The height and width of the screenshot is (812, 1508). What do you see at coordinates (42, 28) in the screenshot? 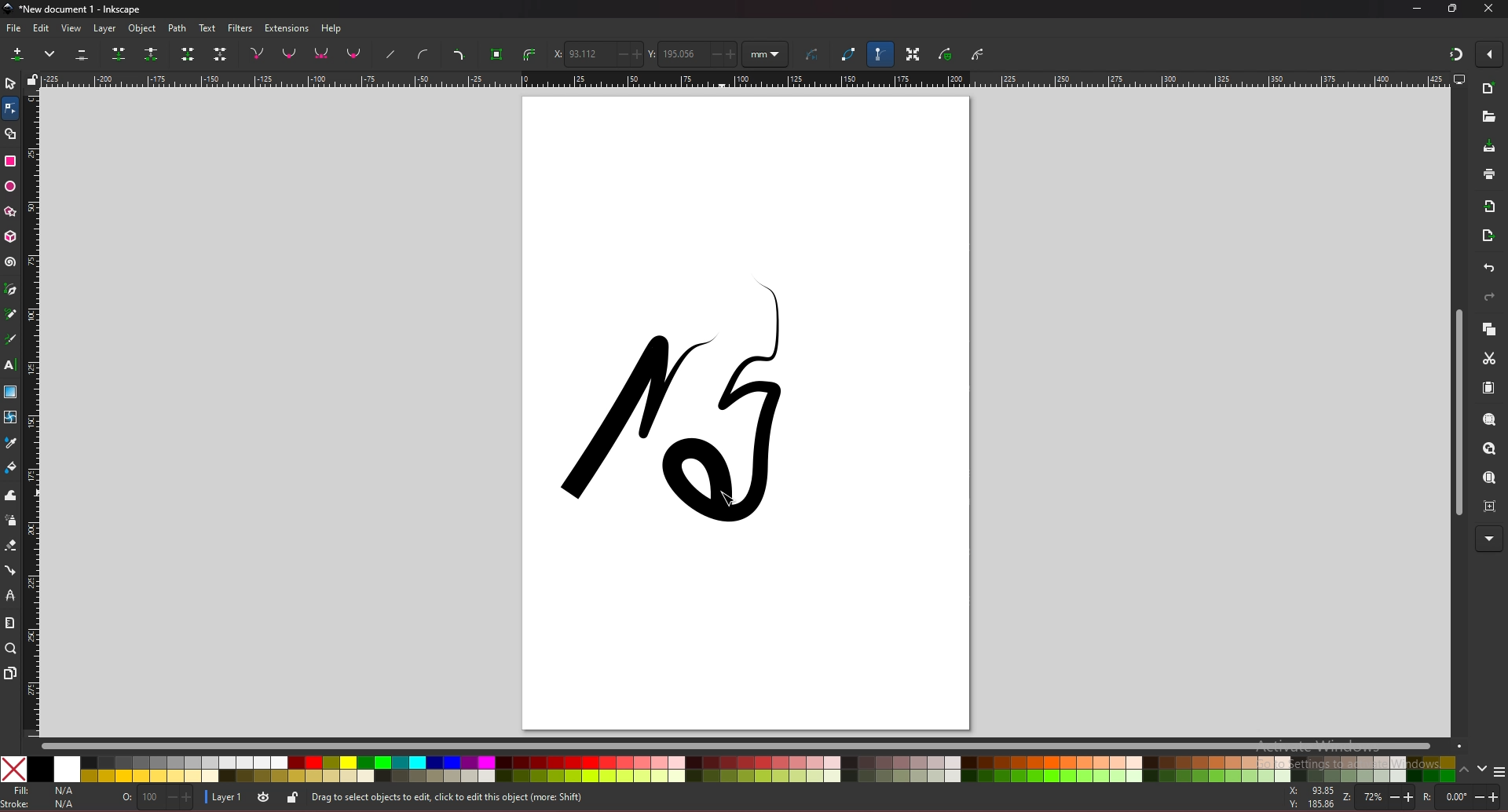
I see `edit` at bounding box center [42, 28].